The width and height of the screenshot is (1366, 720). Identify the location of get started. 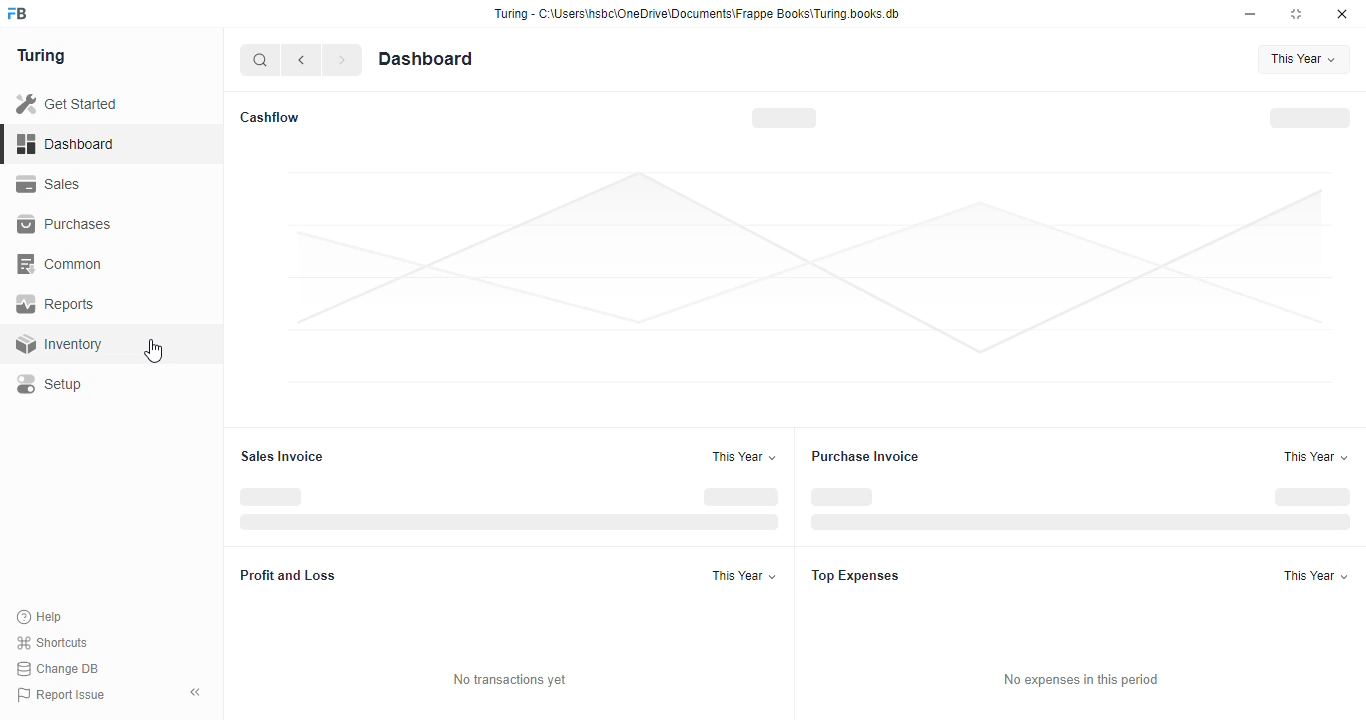
(68, 104).